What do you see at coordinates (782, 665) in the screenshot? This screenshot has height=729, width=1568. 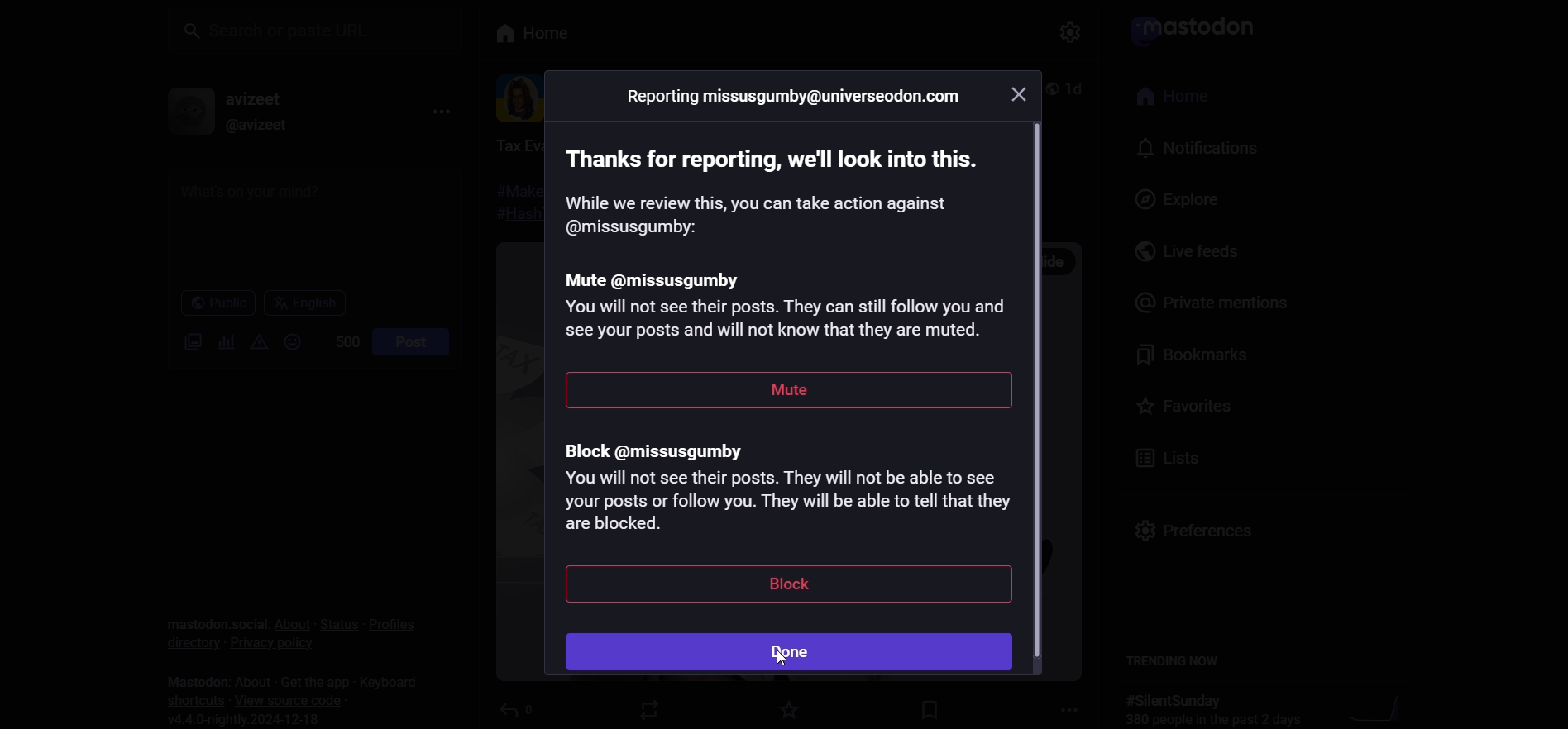 I see `cursor` at bounding box center [782, 665].